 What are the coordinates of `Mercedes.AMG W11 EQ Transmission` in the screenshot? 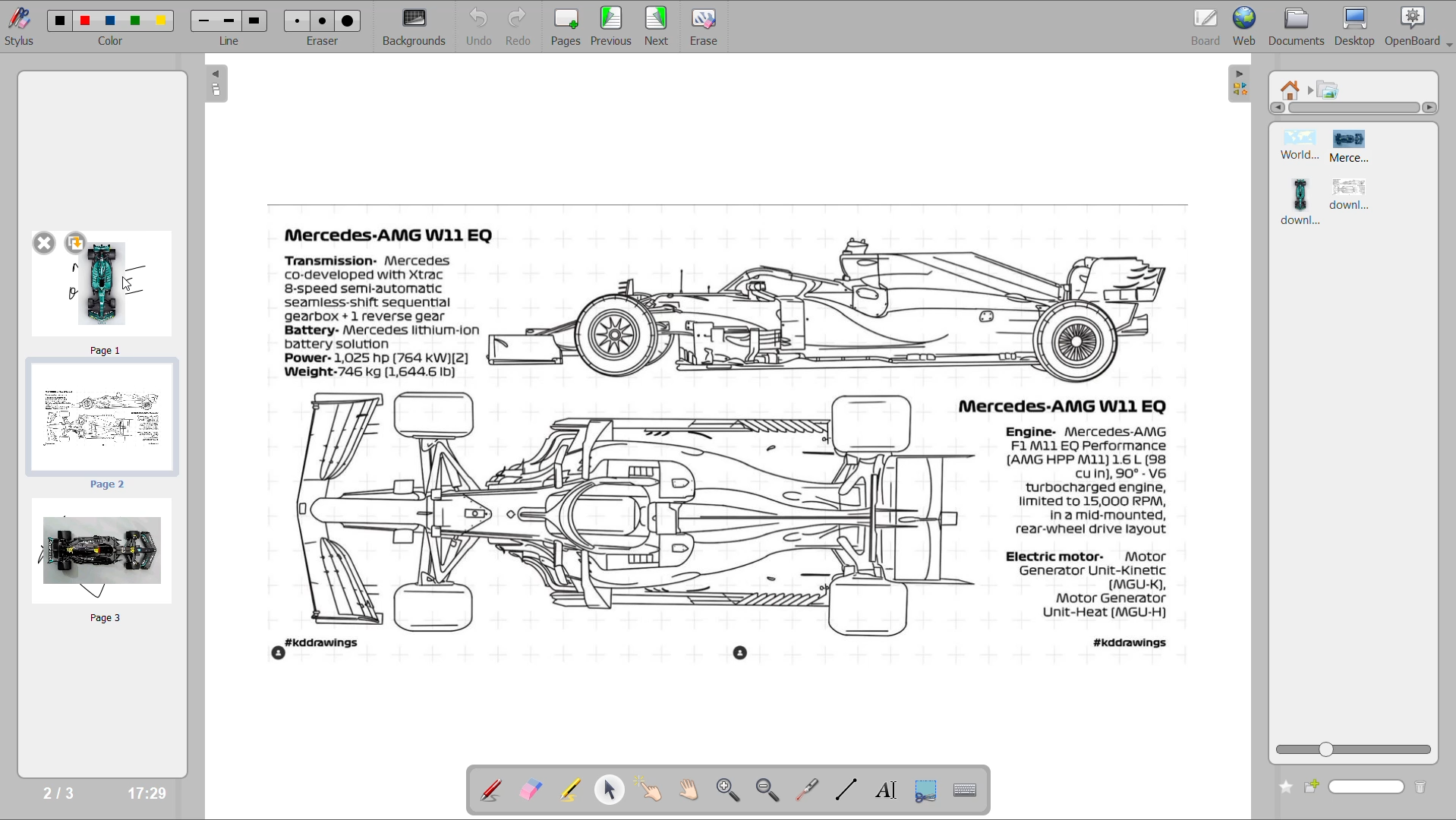 It's located at (386, 234).